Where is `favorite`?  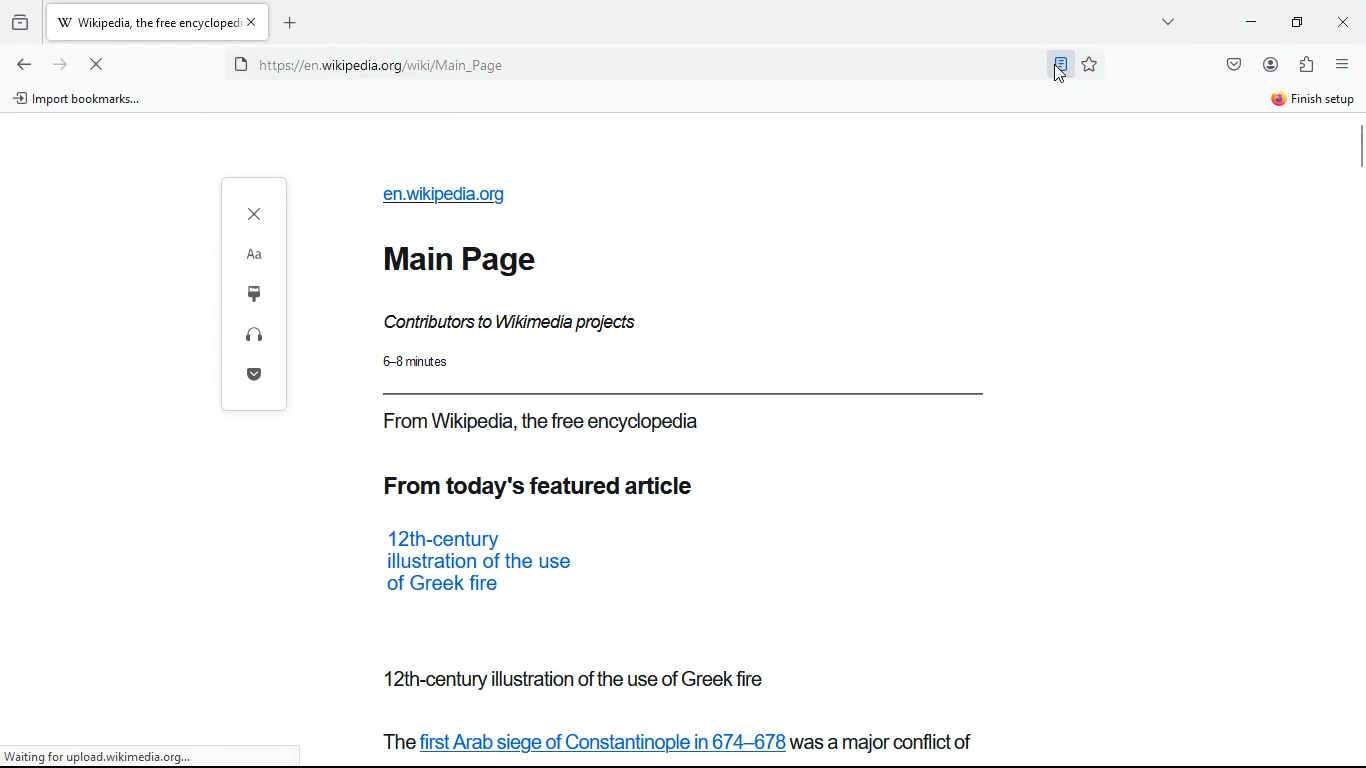 favorite is located at coordinates (1091, 64).